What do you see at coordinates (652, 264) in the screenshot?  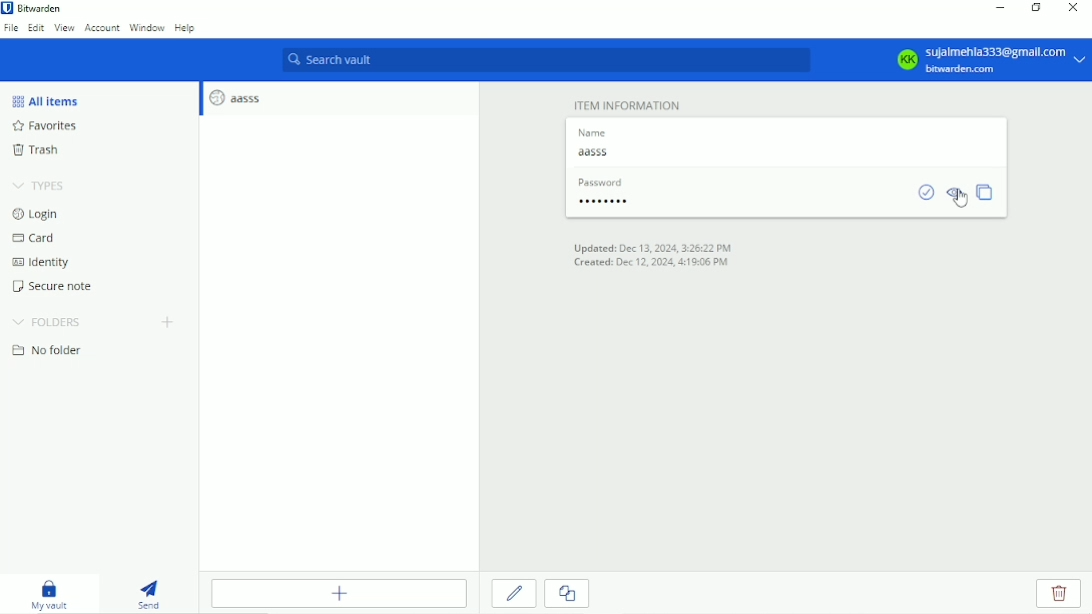 I see `Created on` at bounding box center [652, 264].